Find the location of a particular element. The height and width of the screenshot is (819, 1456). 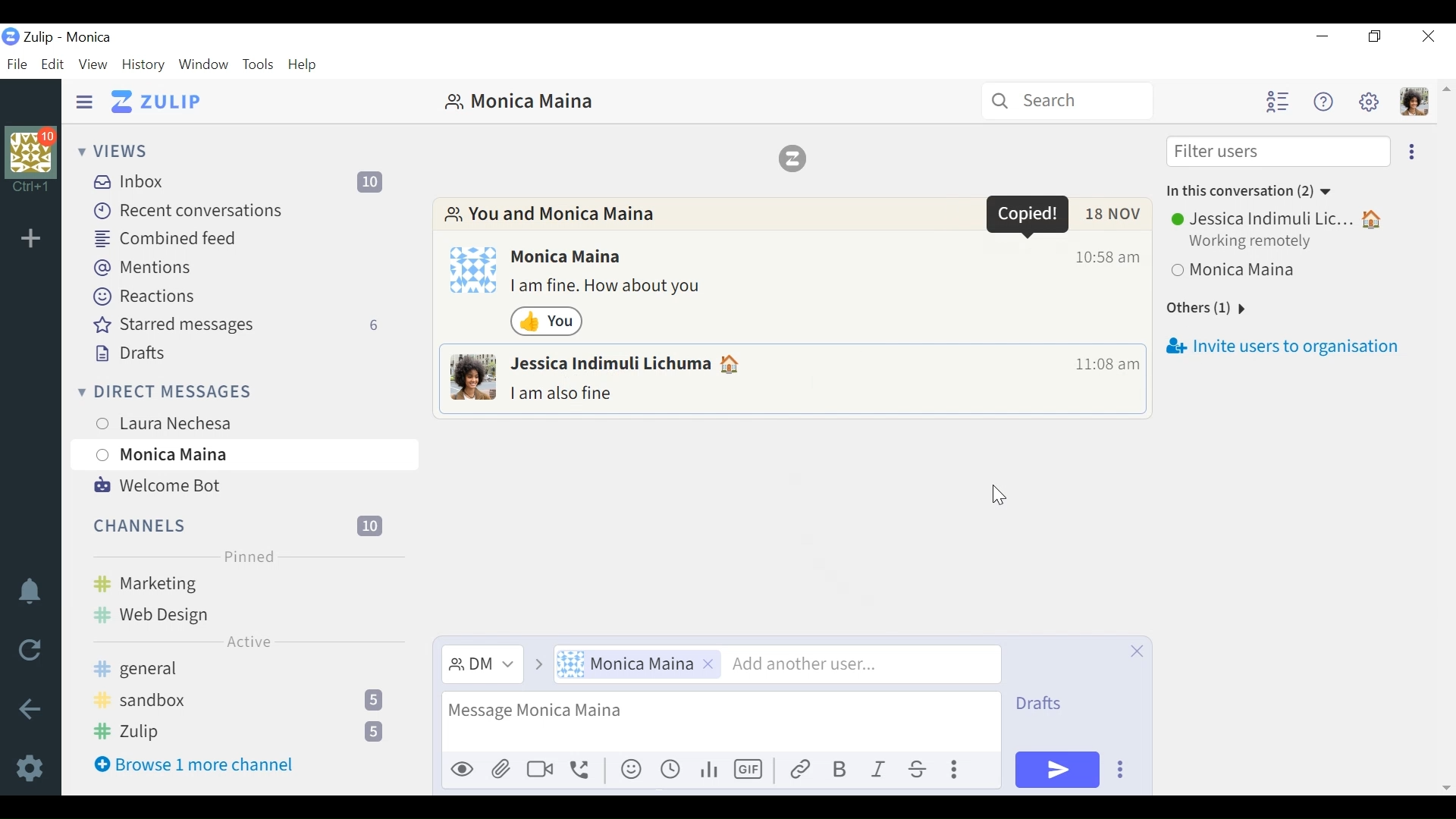

Pinned is located at coordinates (245, 555).